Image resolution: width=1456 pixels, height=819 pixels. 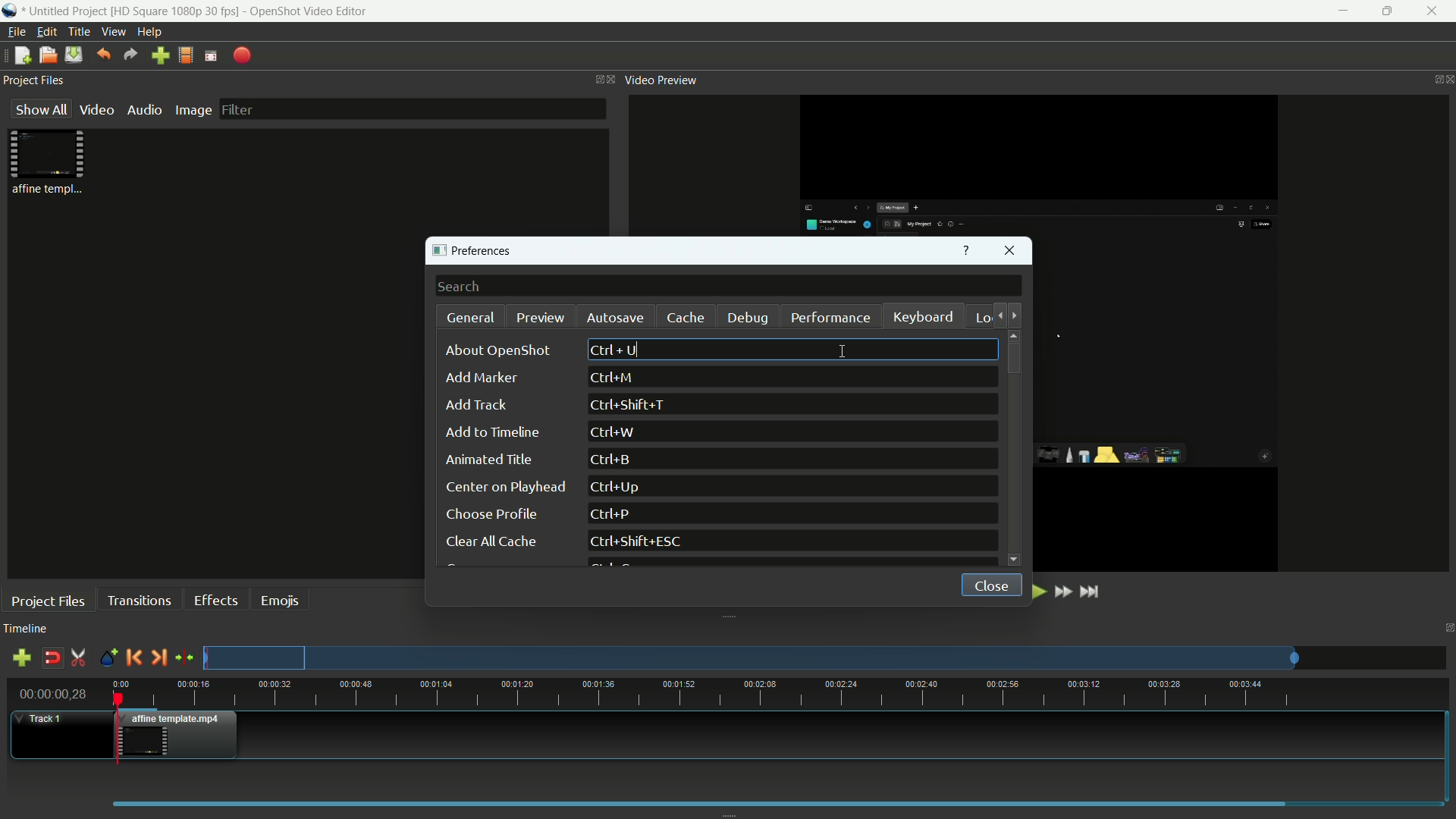 I want to click on preview track, so click(x=750, y=657).